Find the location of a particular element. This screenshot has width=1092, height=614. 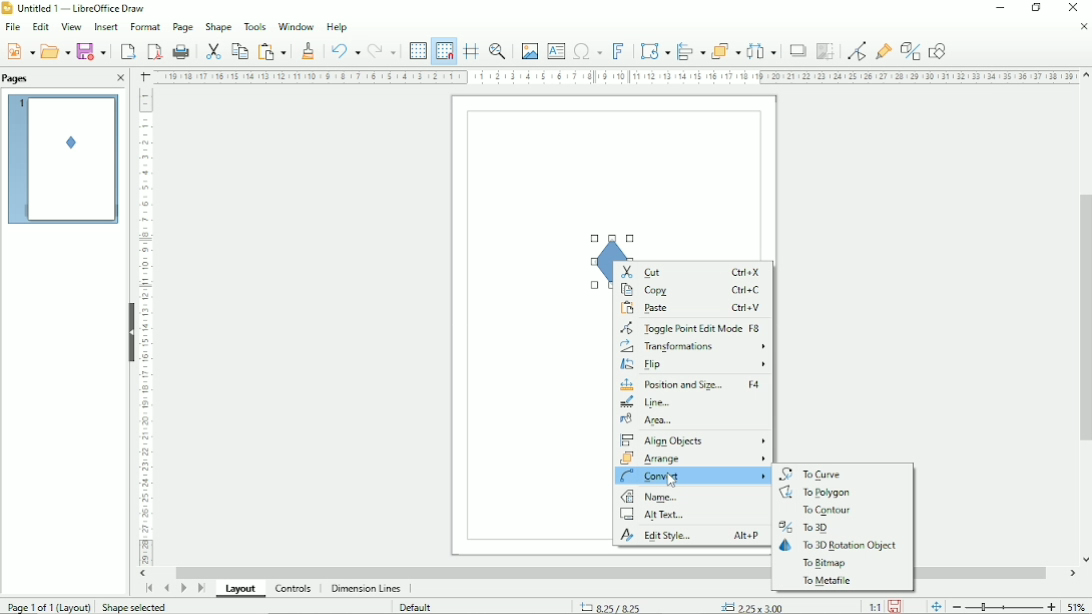

File is located at coordinates (13, 27).